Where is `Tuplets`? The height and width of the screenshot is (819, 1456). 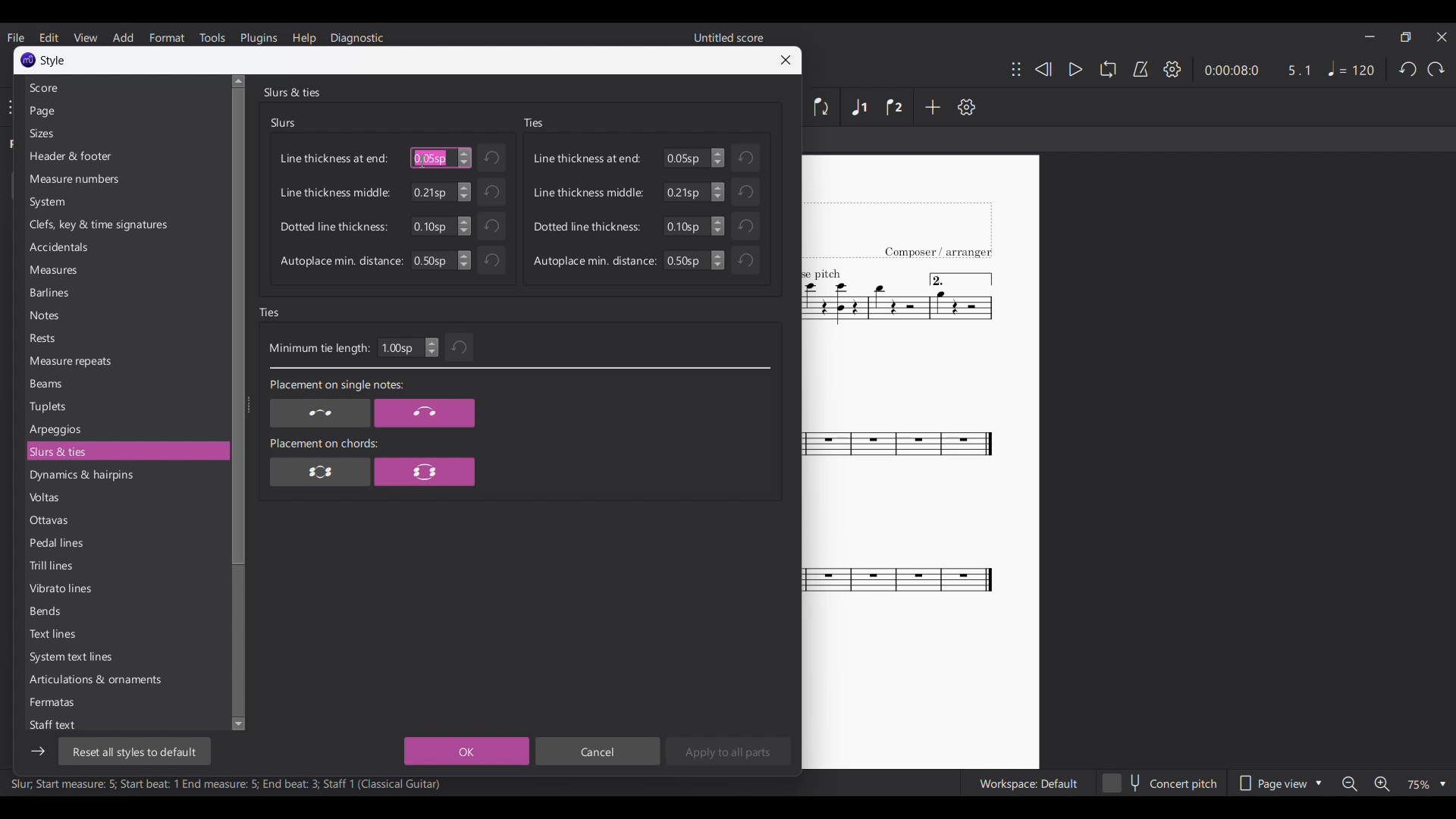 Tuplets is located at coordinates (124, 406).